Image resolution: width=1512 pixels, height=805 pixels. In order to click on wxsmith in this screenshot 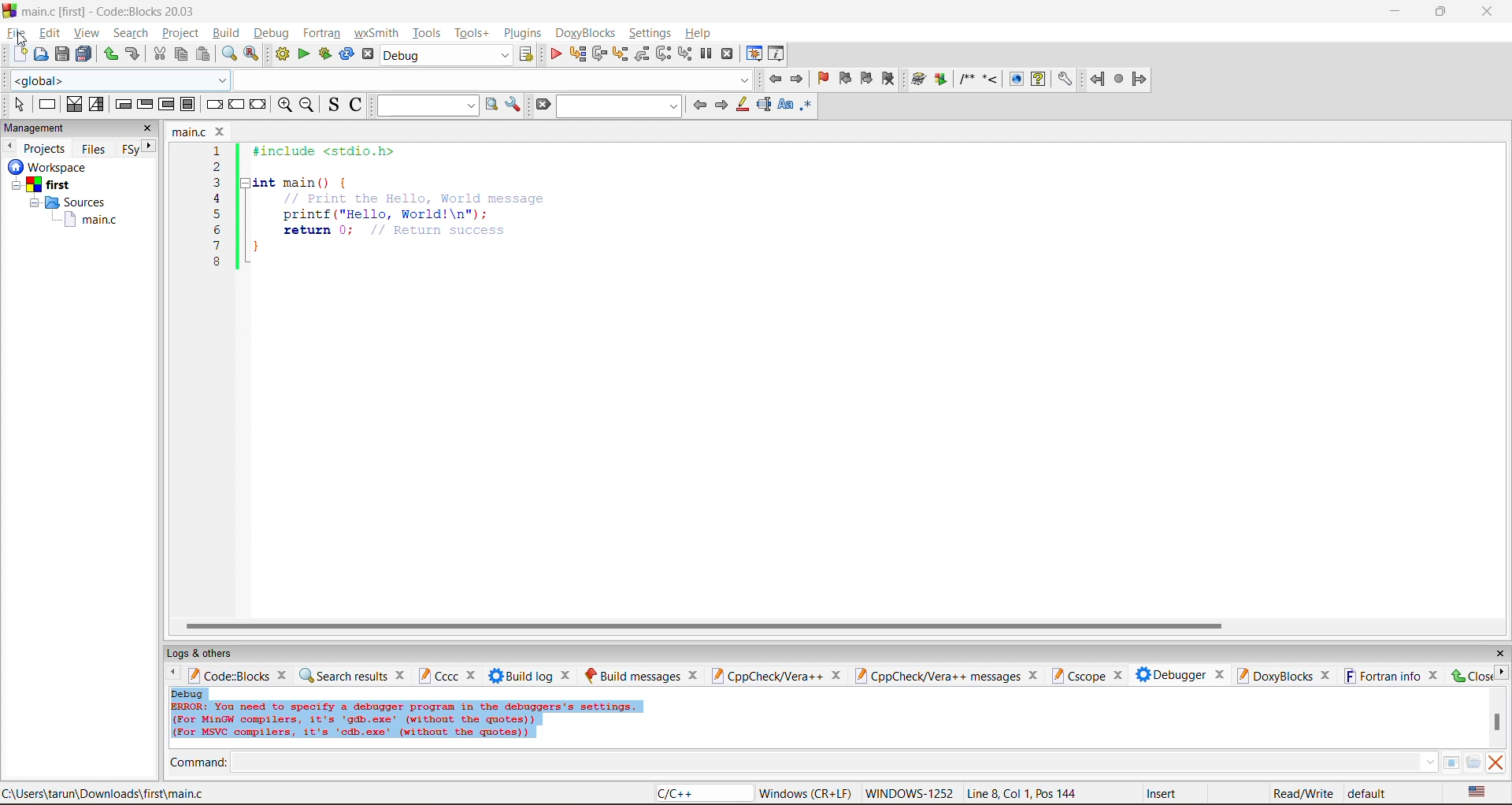, I will do `click(377, 33)`.